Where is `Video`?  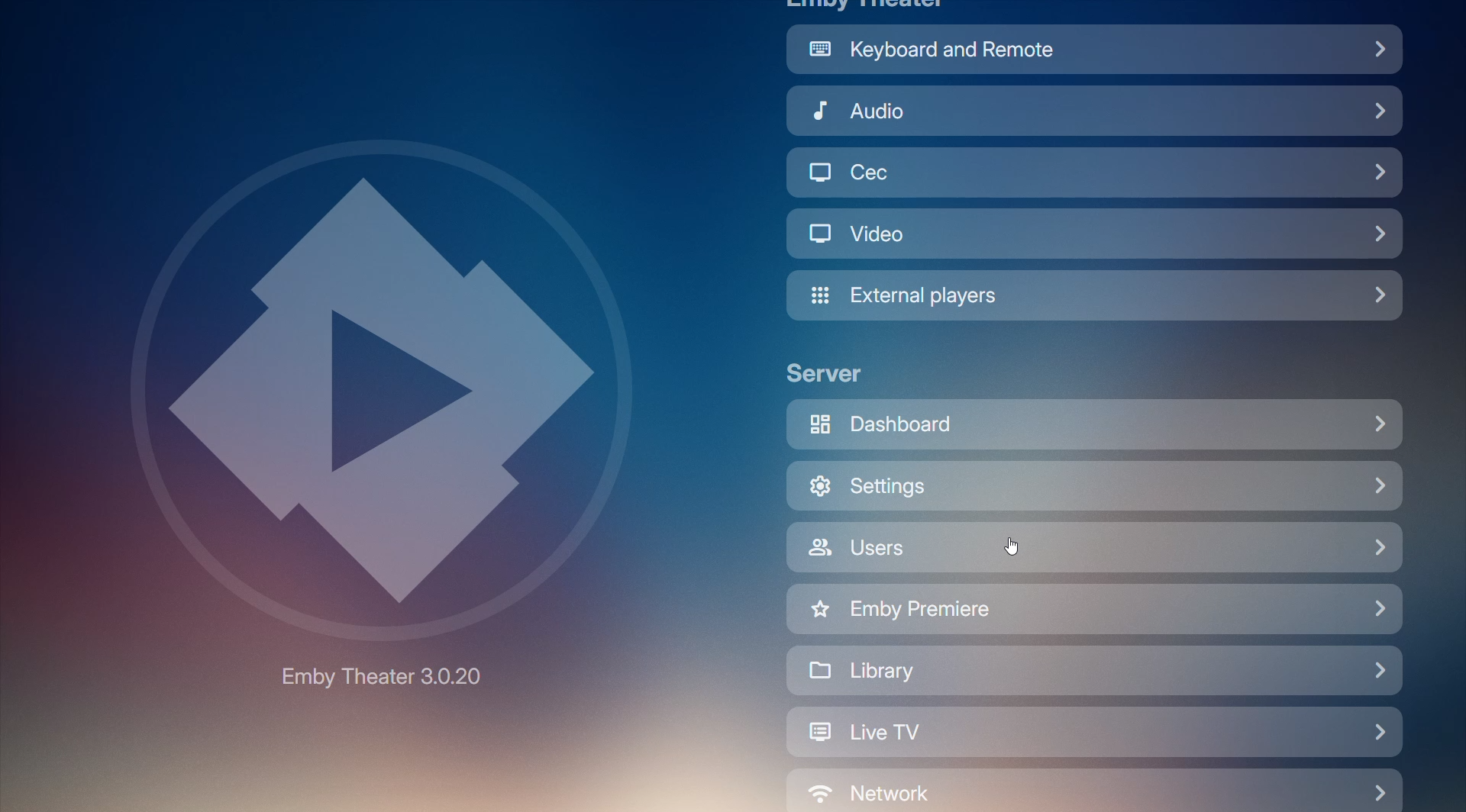 Video is located at coordinates (1095, 230).